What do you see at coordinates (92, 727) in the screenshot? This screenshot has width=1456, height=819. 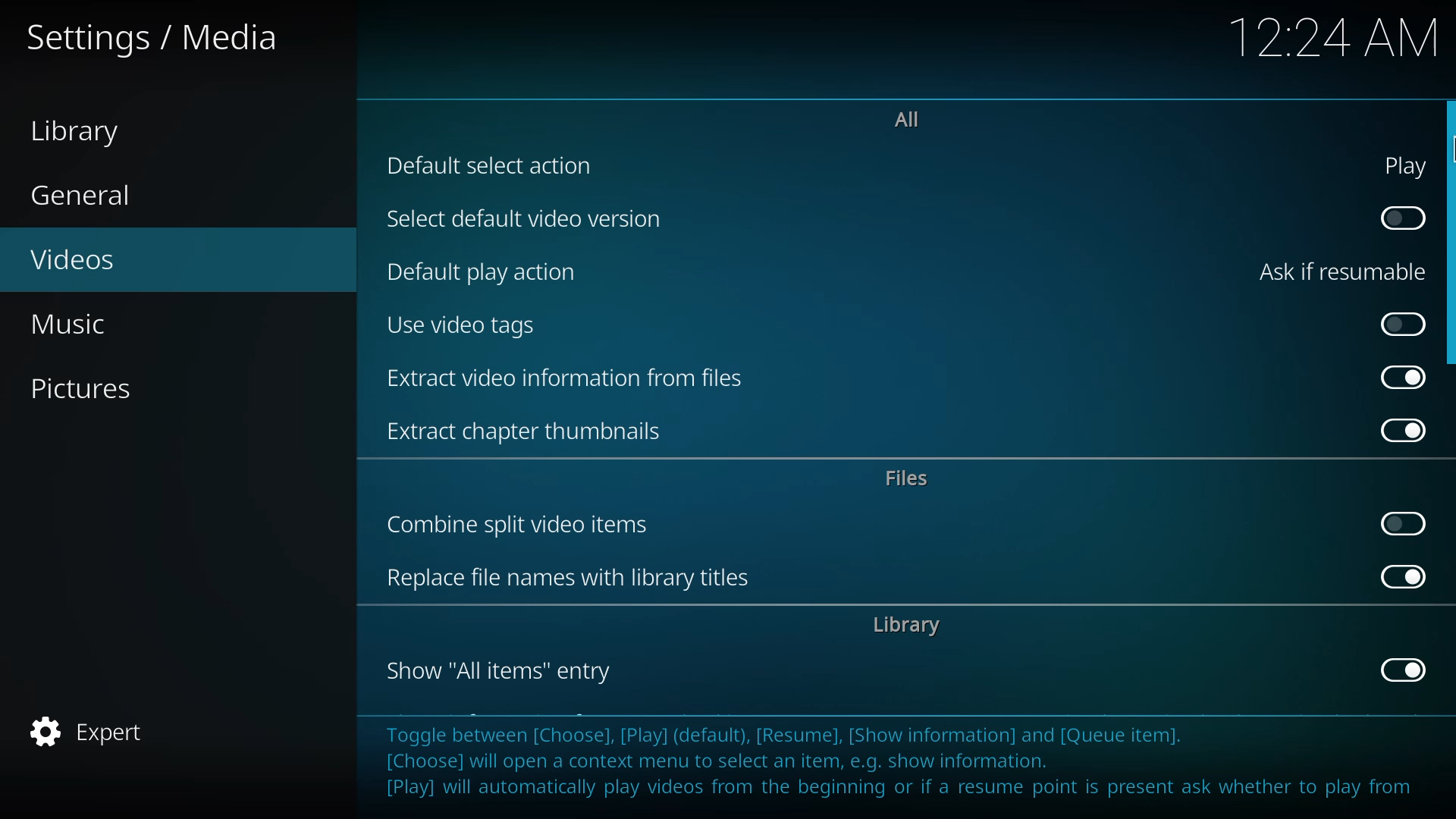 I see `expert` at bounding box center [92, 727].